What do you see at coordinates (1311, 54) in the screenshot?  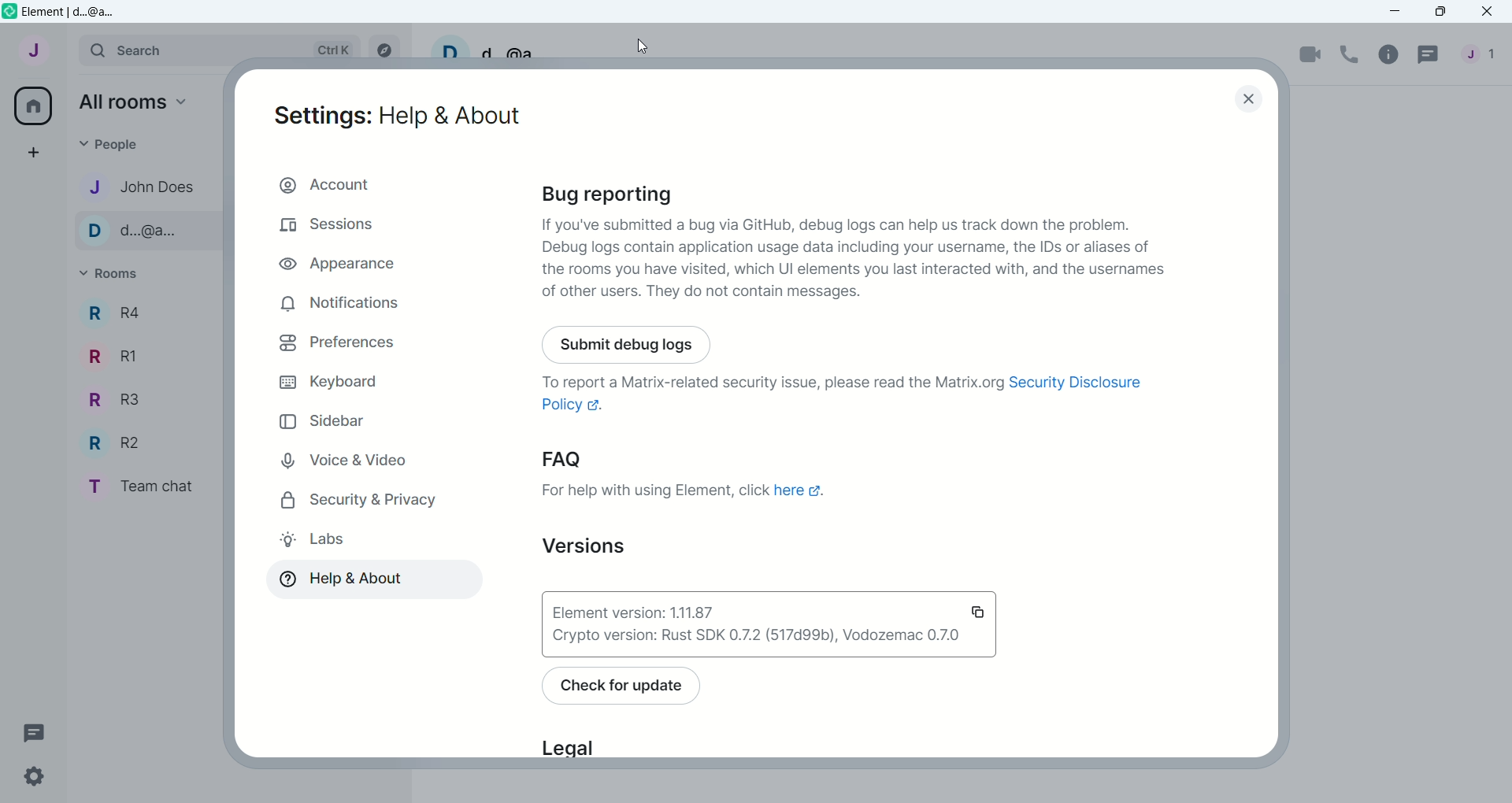 I see `Video call` at bounding box center [1311, 54].